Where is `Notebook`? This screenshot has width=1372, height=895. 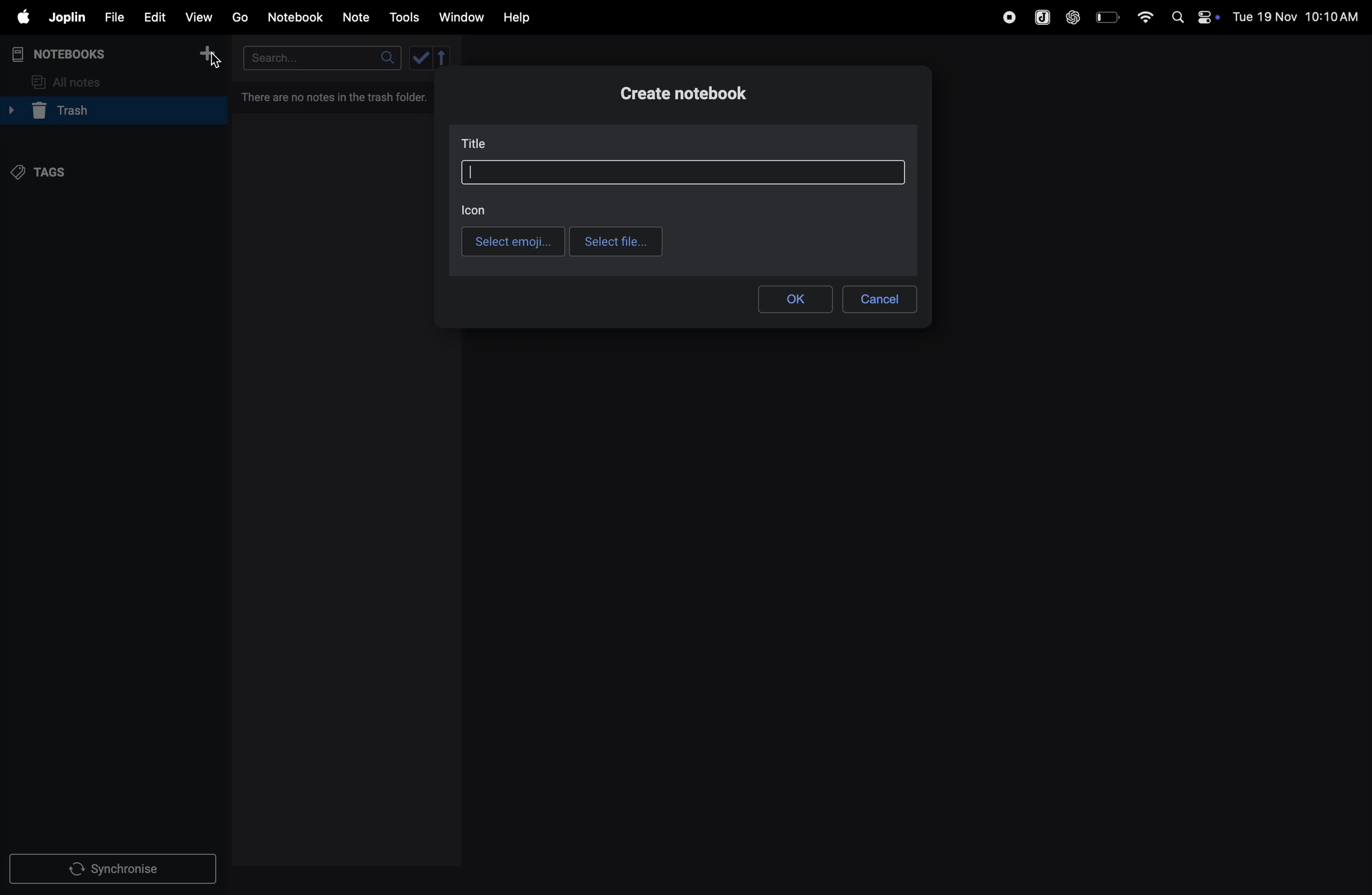 Notebook is located at coordinates (299, 17).